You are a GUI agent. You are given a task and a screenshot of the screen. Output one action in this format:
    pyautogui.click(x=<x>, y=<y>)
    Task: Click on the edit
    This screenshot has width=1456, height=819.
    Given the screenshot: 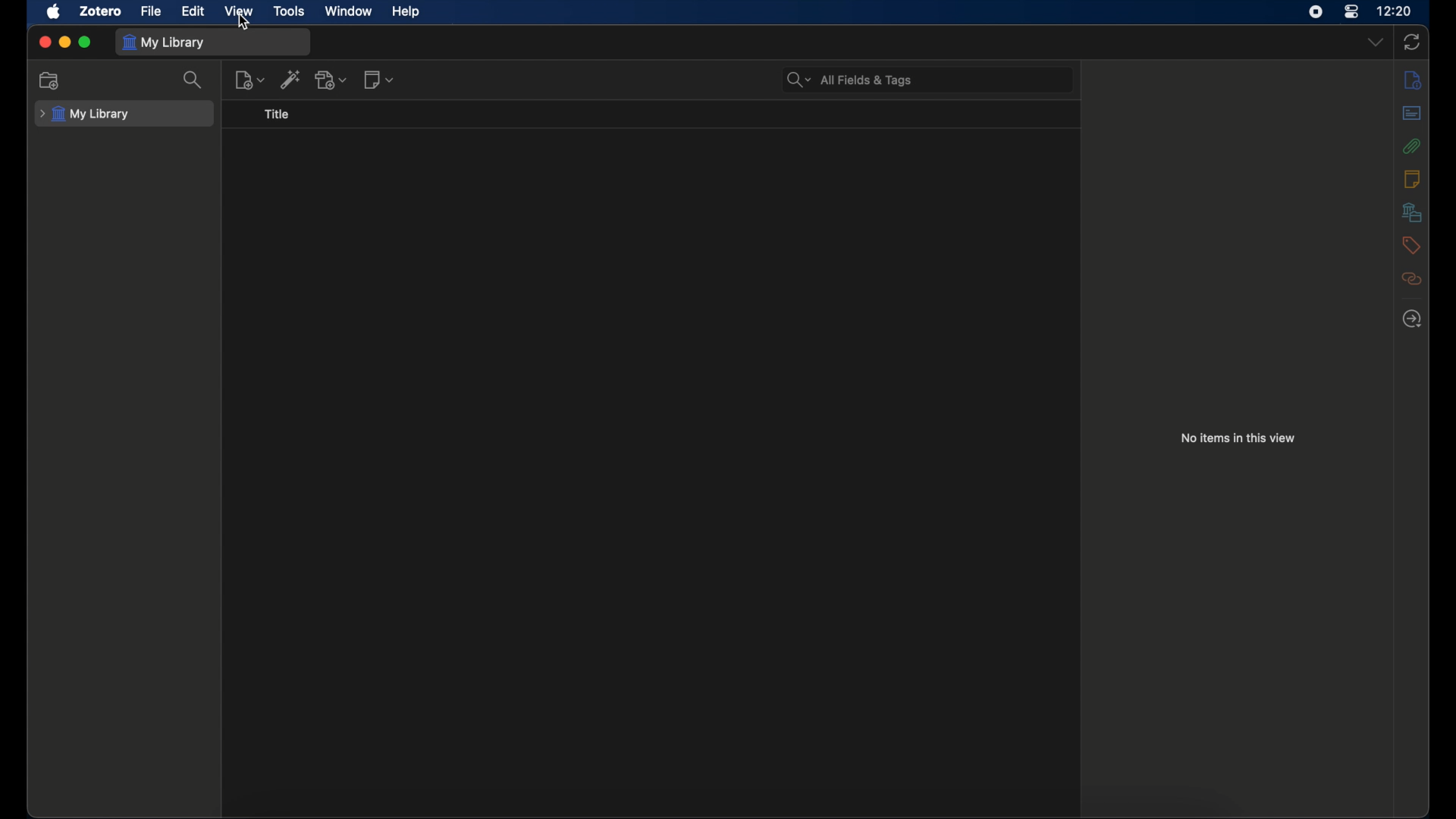 What is the action you would take?
    pyautogui.click(x=194, y=11)
    